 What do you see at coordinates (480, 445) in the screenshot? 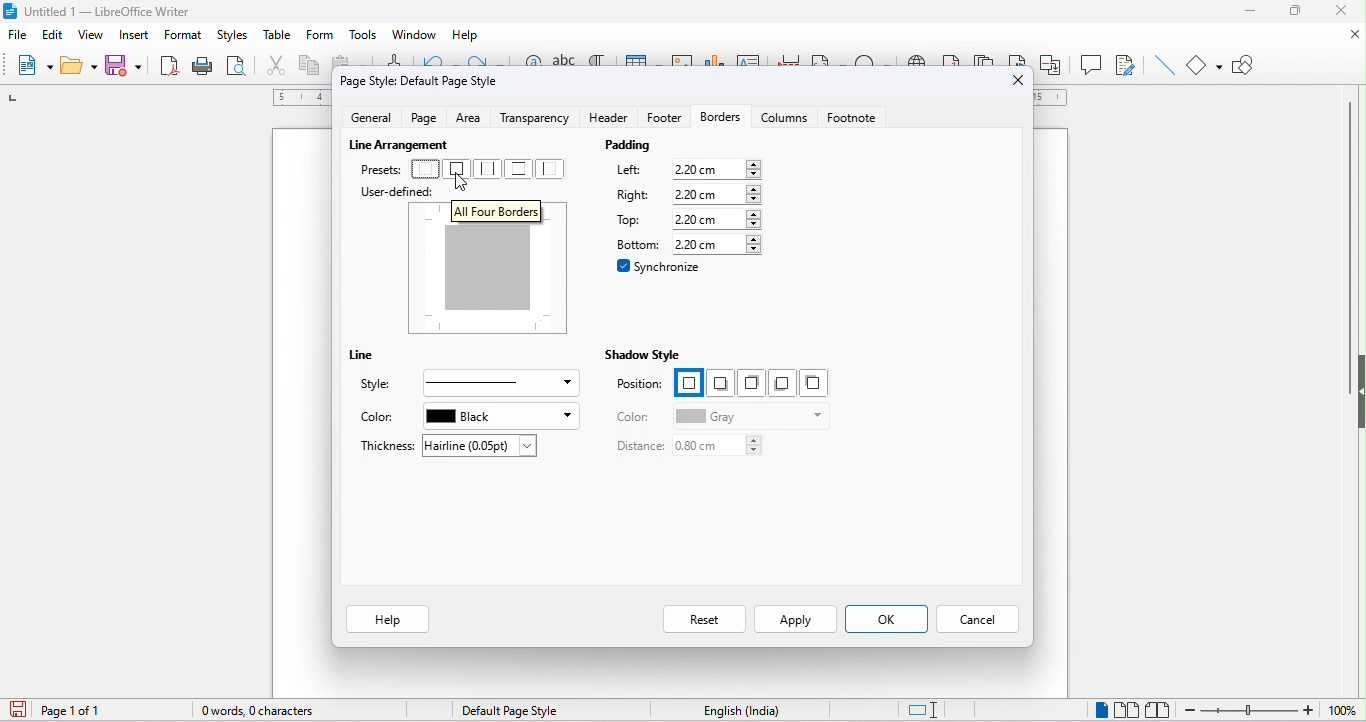
I see `hairline` at bounding box center [480, 445].